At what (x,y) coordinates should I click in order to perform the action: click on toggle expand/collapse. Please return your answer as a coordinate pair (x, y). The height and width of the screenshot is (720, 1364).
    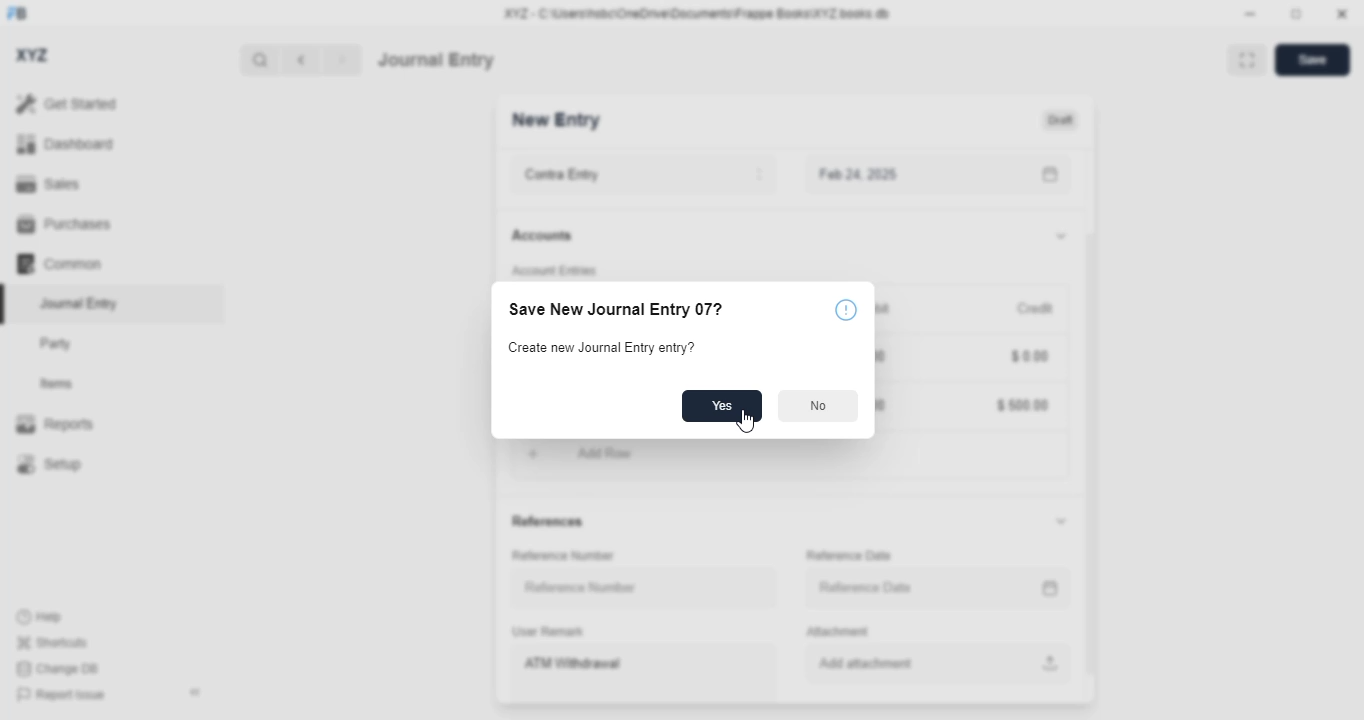
    Looking at the image, I should click on (1062, 522).